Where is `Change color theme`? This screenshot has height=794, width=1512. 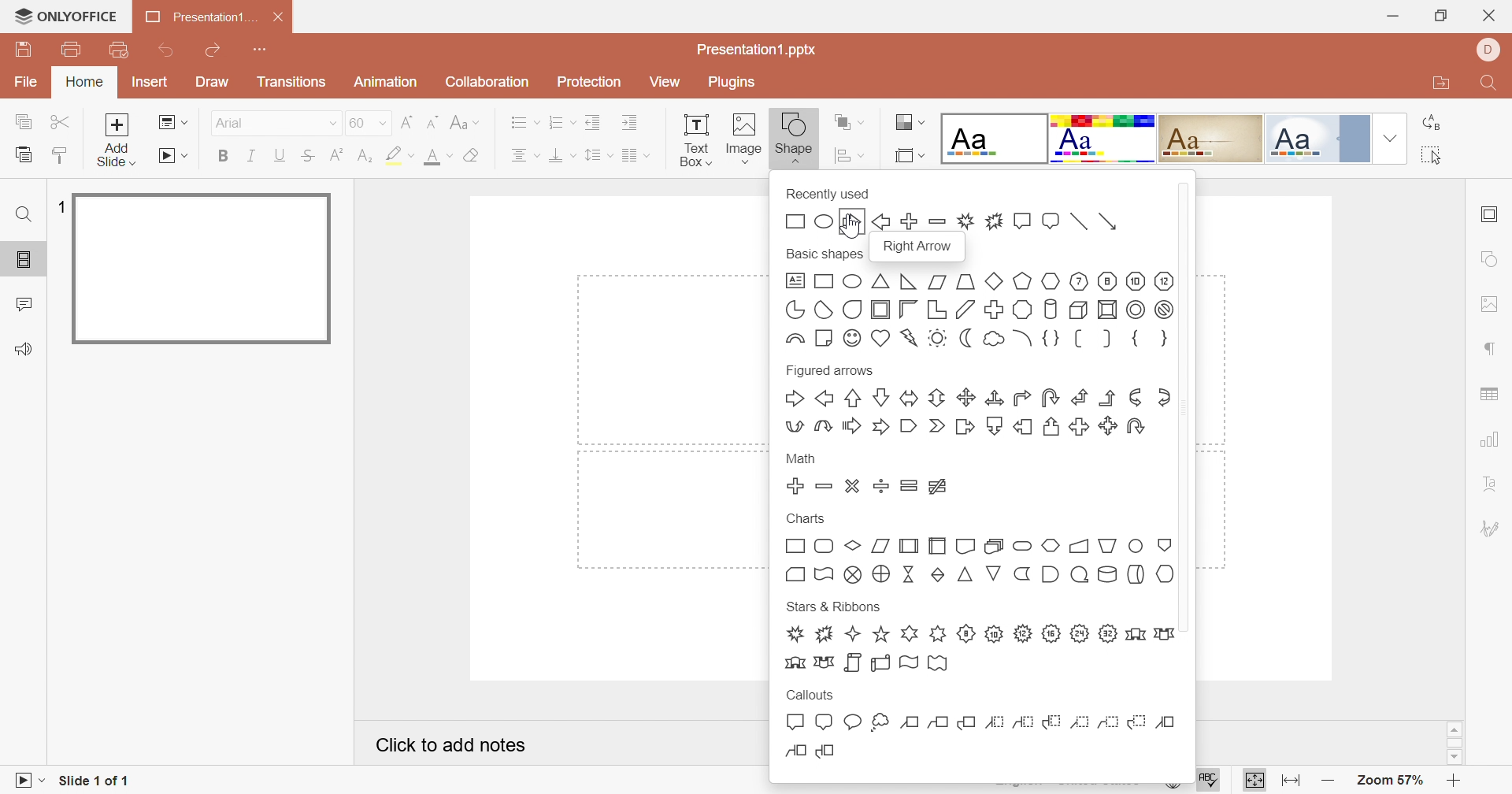
Change color theme is located at coordinates (910, 123).